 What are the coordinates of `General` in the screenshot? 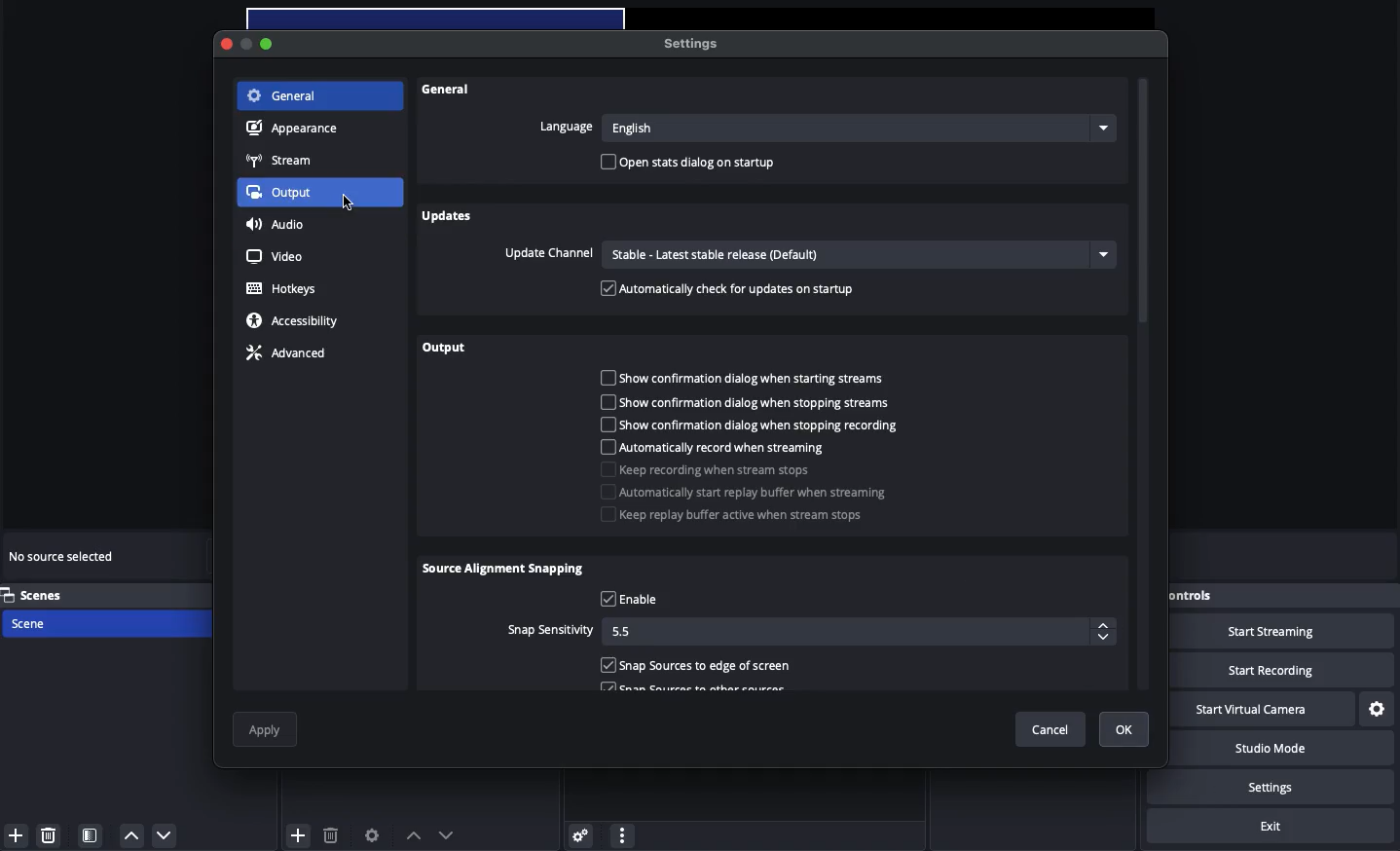 It's located at (281, 97).